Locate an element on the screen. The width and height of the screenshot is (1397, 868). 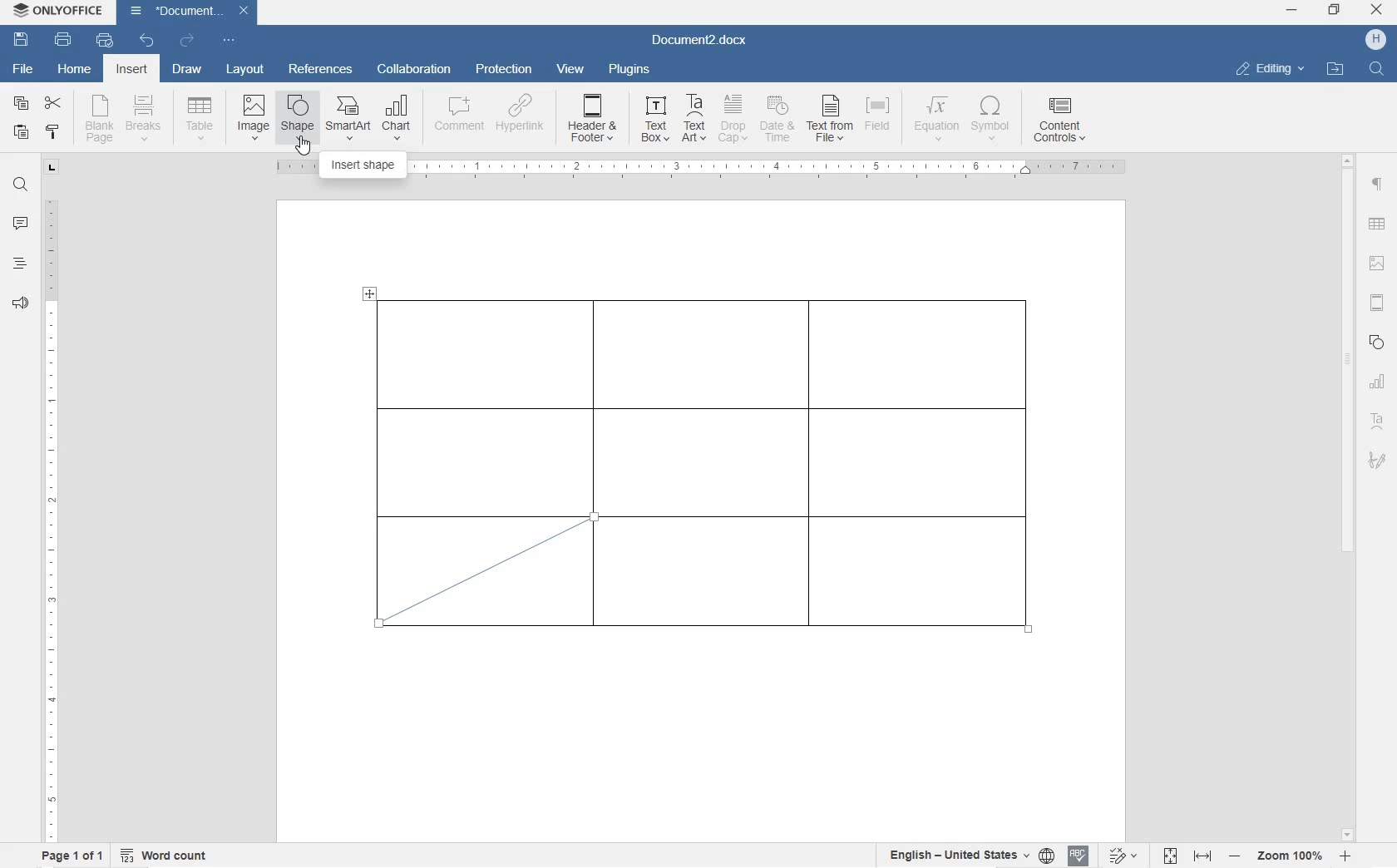
Profile is located at coordinates (1378, 40).